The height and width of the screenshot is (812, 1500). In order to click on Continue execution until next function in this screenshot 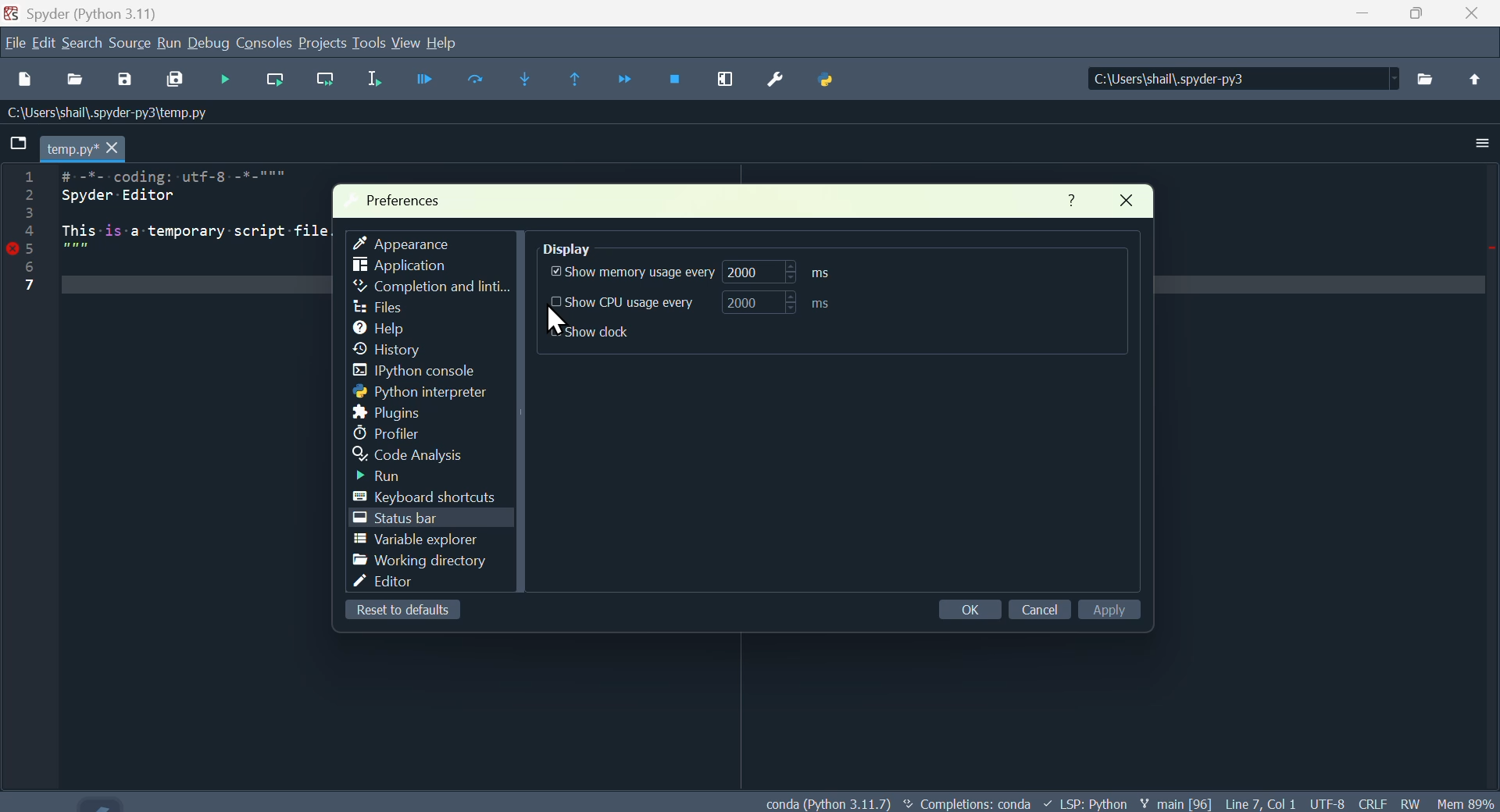, I will do `click(627, 78)`.